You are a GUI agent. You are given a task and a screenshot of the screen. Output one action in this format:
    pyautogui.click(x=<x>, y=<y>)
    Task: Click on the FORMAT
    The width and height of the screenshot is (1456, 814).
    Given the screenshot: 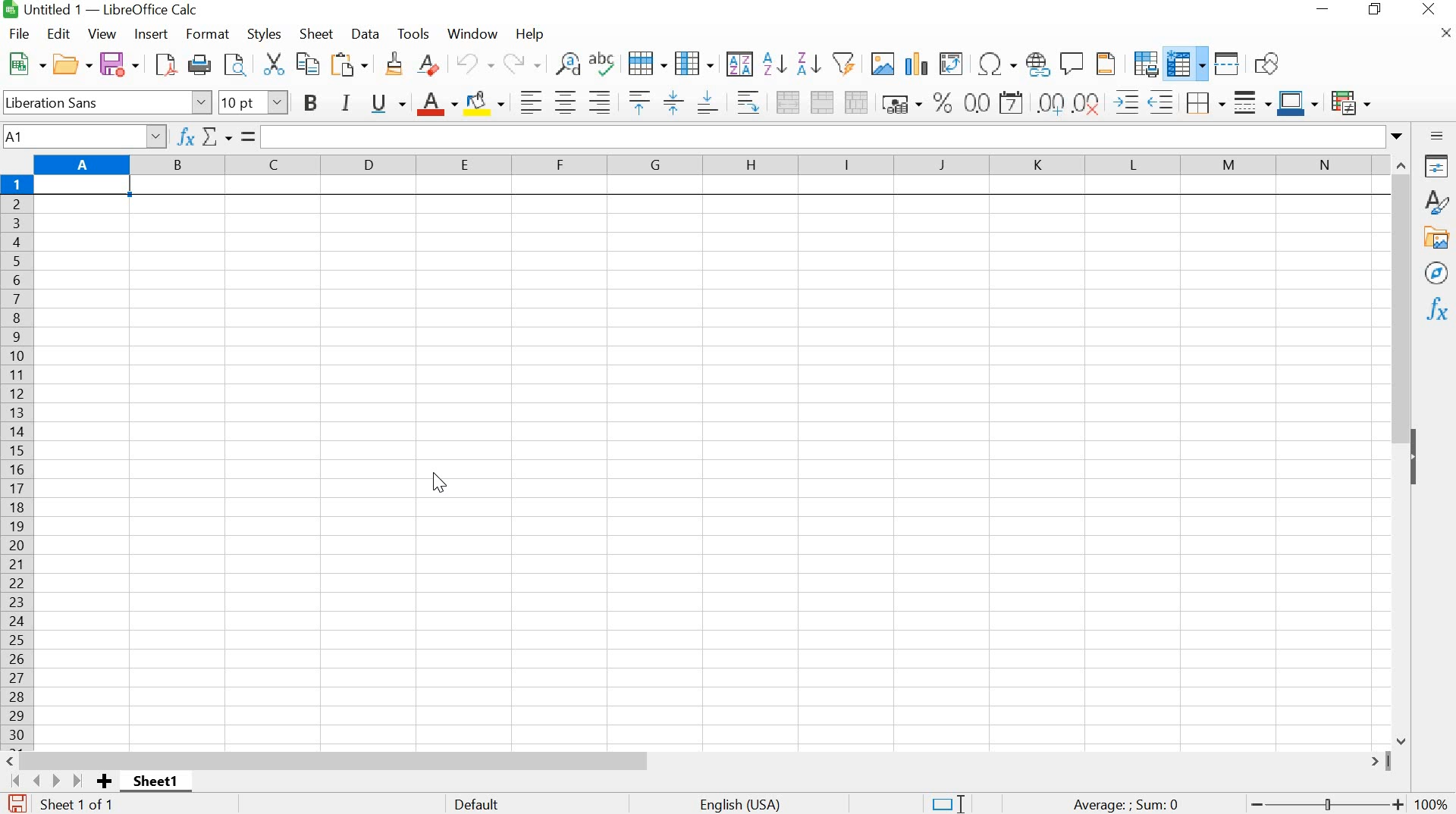 What is the action you would take?
    pyautogui.click(x=209, y=33)
    